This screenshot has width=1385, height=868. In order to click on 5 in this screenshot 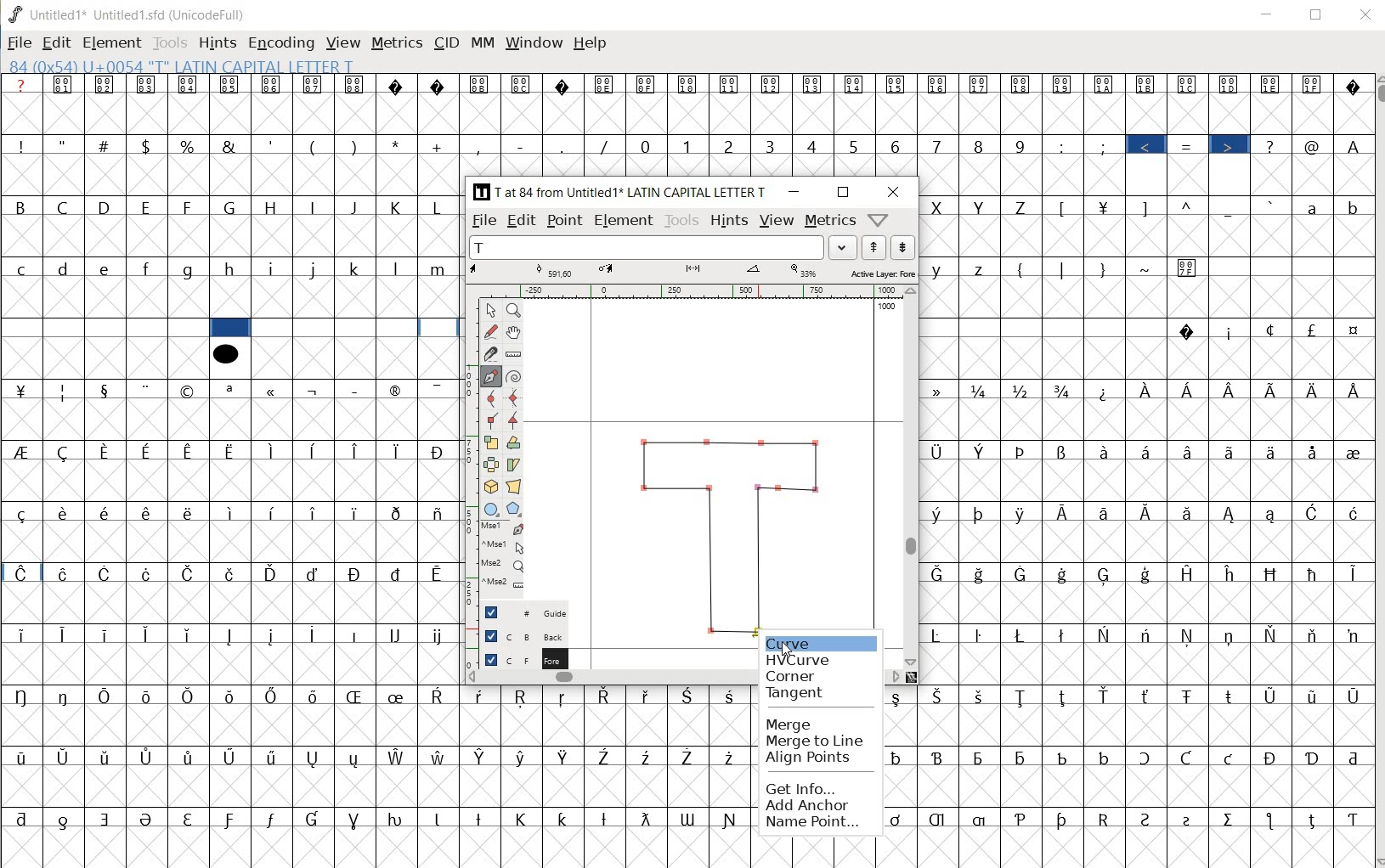, I will do `click(854, 144)`.